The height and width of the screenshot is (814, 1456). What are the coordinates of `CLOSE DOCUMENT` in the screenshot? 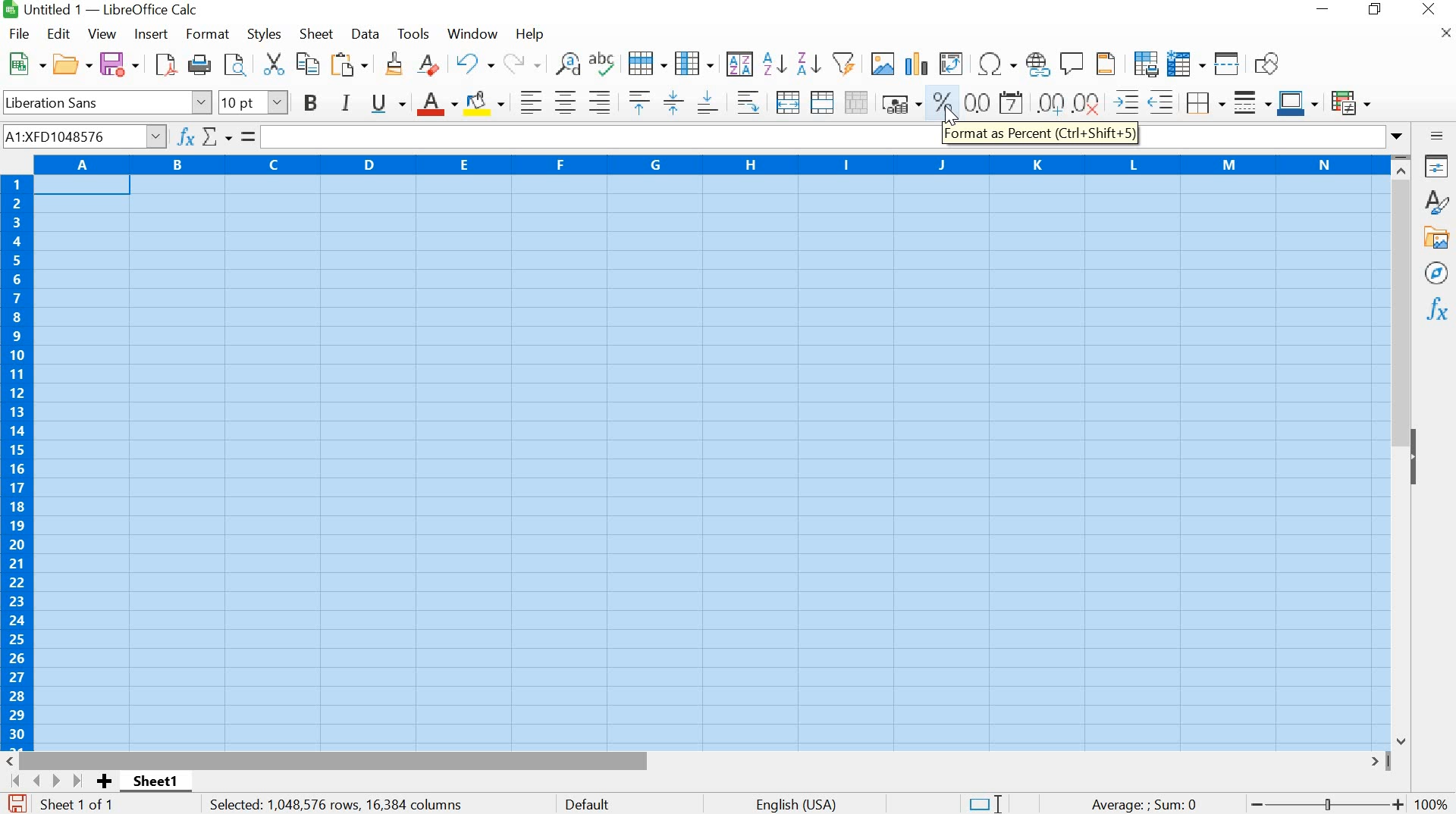 It's located at (1443, 36).